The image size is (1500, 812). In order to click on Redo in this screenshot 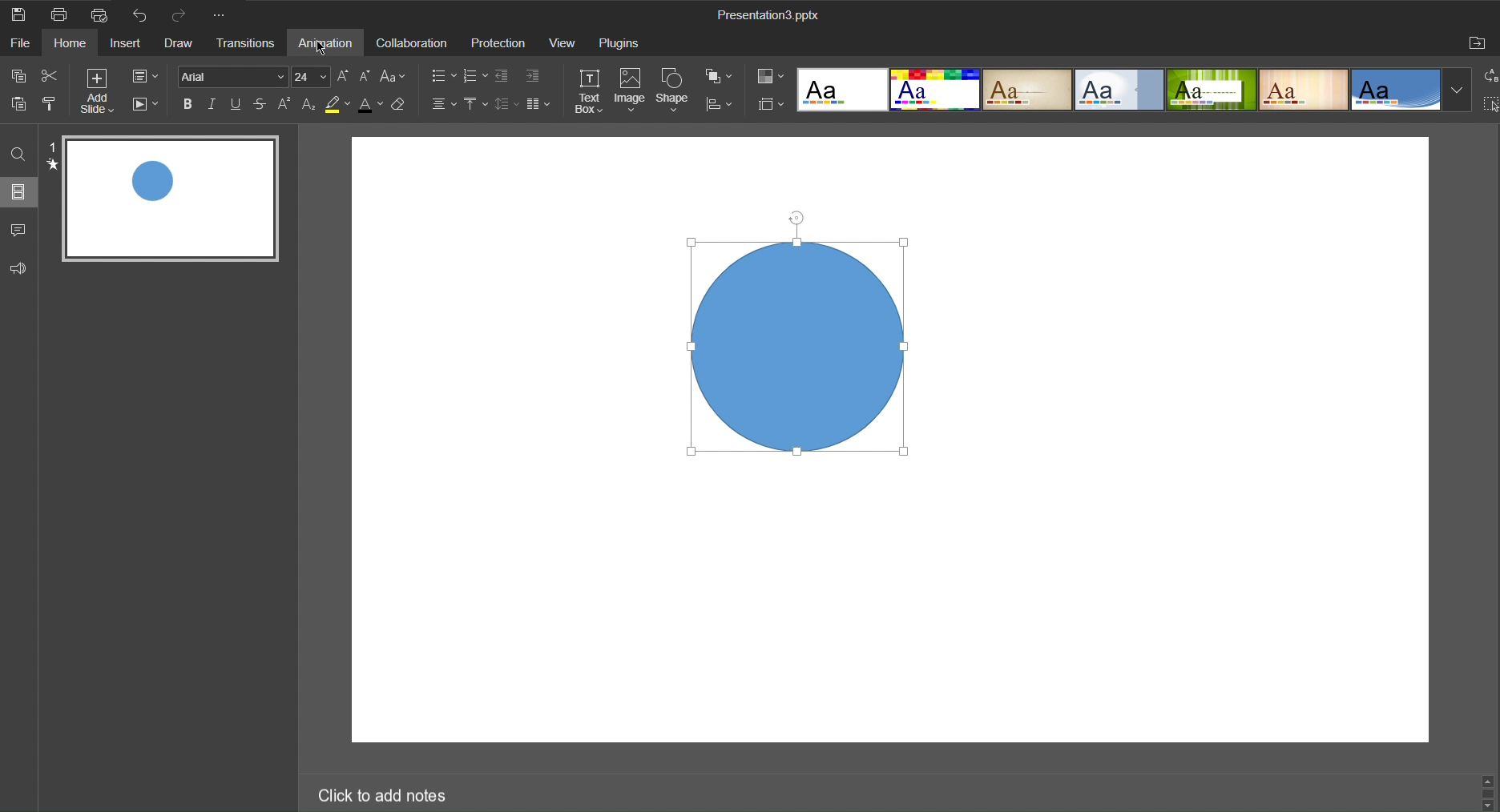, I will do `click(176, 16)`.